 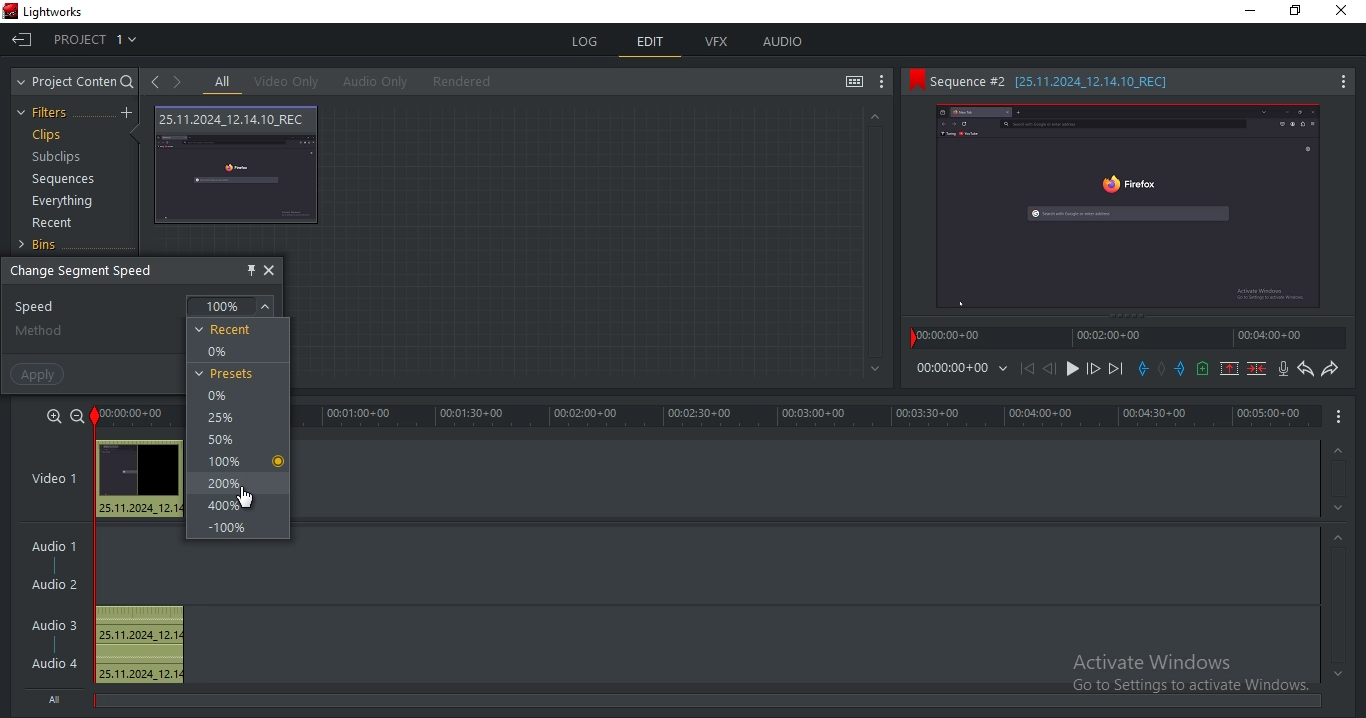 I want to click on video only, so click(x=292, y=82).